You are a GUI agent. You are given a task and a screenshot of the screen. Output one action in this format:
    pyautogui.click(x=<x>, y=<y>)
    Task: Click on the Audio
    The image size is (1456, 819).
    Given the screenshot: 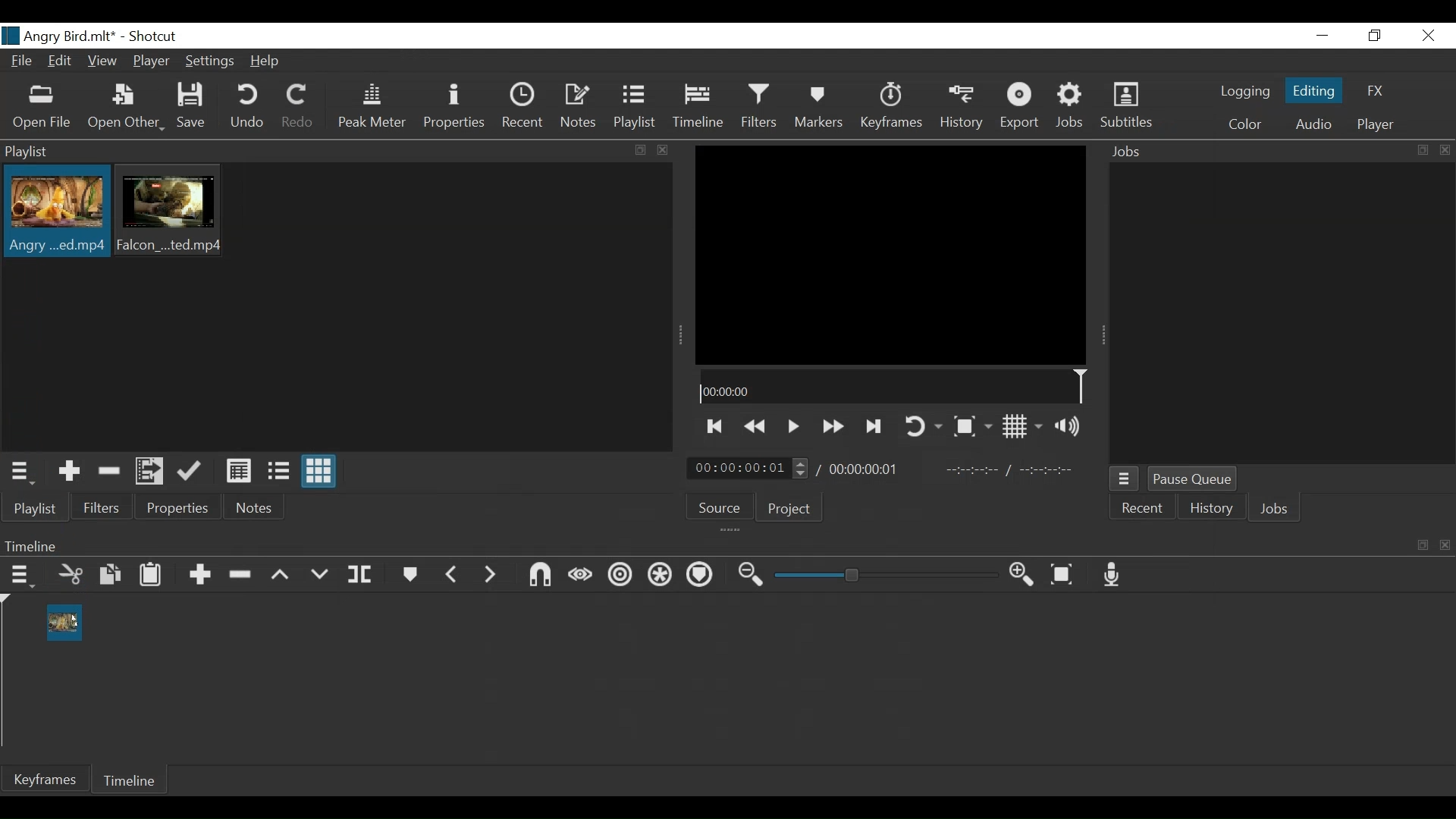 What is the action you would take?
    pyautogui.click(x=1312, y=124)
    